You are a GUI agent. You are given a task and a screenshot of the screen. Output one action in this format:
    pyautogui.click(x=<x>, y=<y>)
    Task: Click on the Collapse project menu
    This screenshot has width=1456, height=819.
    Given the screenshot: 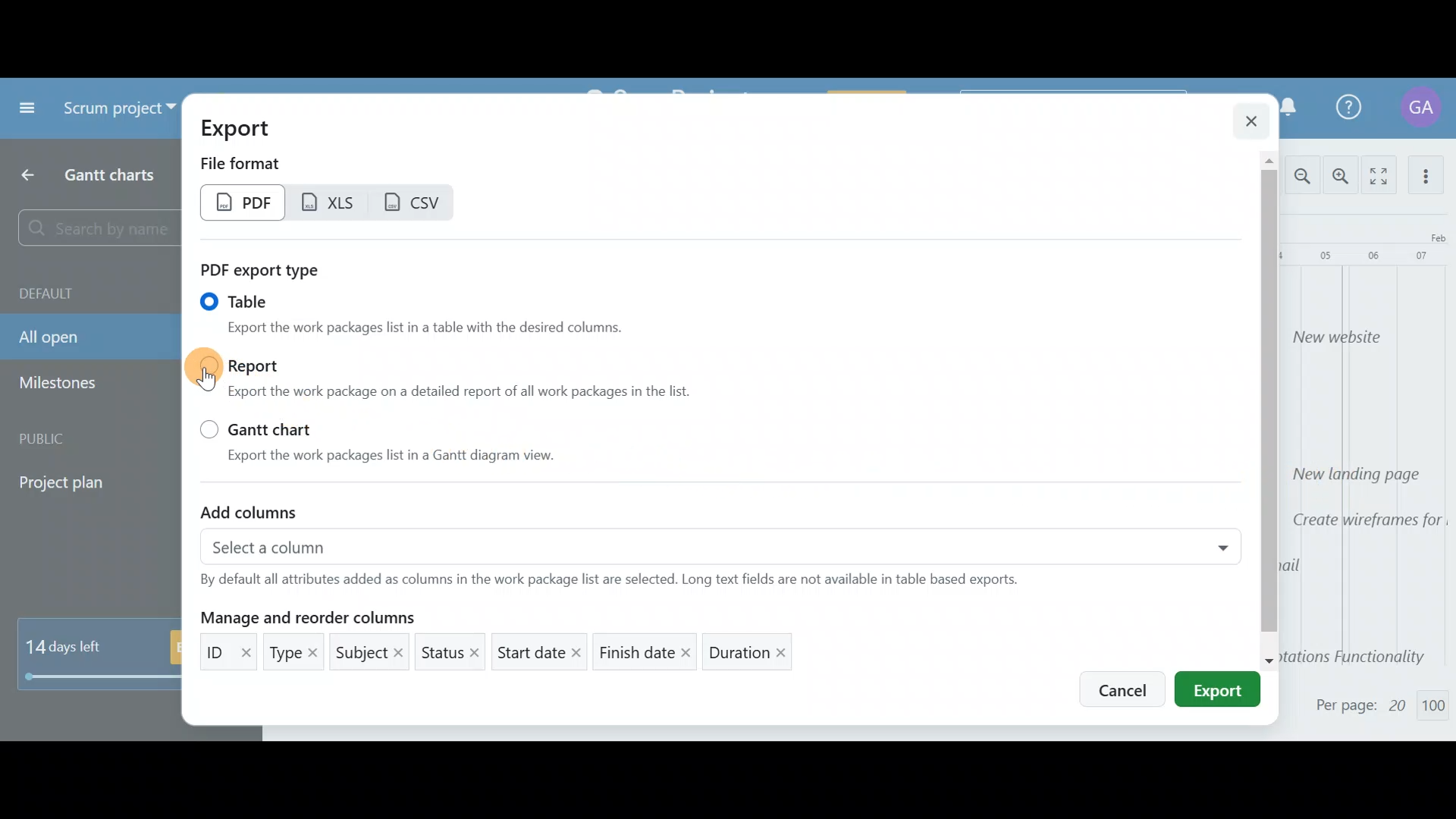 What is the action you would take?
    pyautogui.click(x=27, y=111)
    